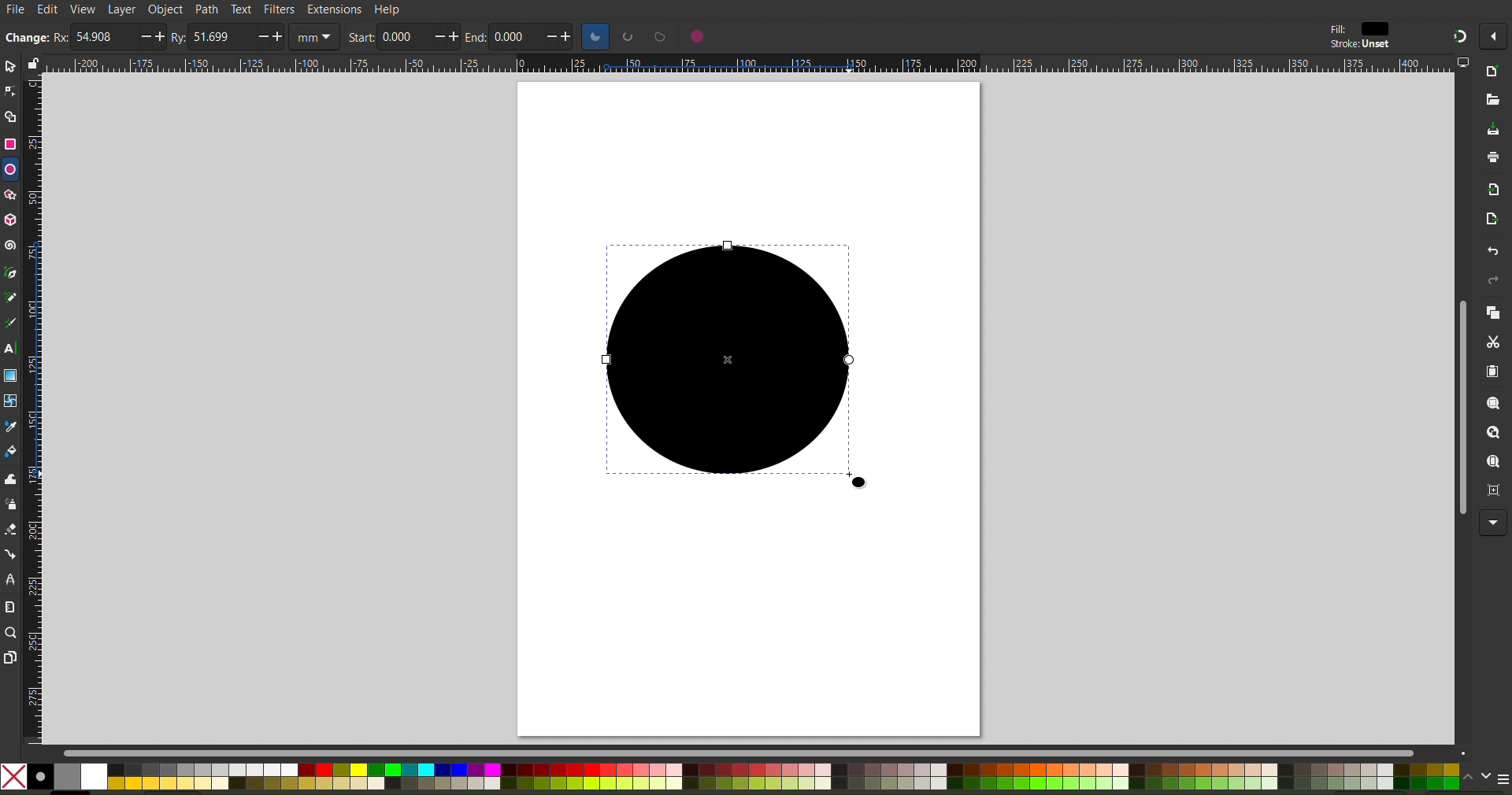  What do you see at coordinates (10, 219) in the screenshot?
I see `3D Box Tool` at bounding box center [10, 219].